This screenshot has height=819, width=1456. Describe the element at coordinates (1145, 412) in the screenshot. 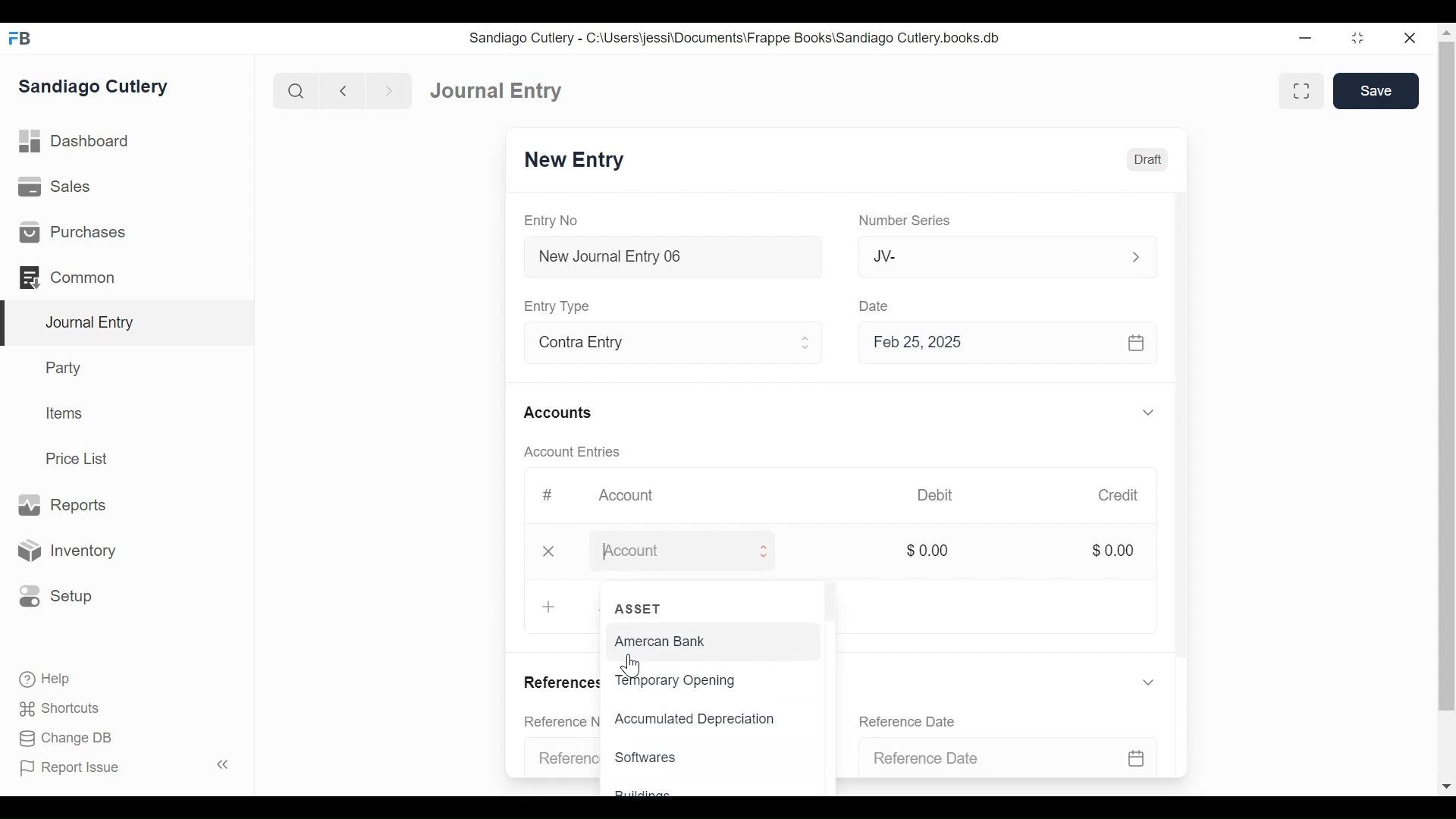

I see `Expand` at that location.